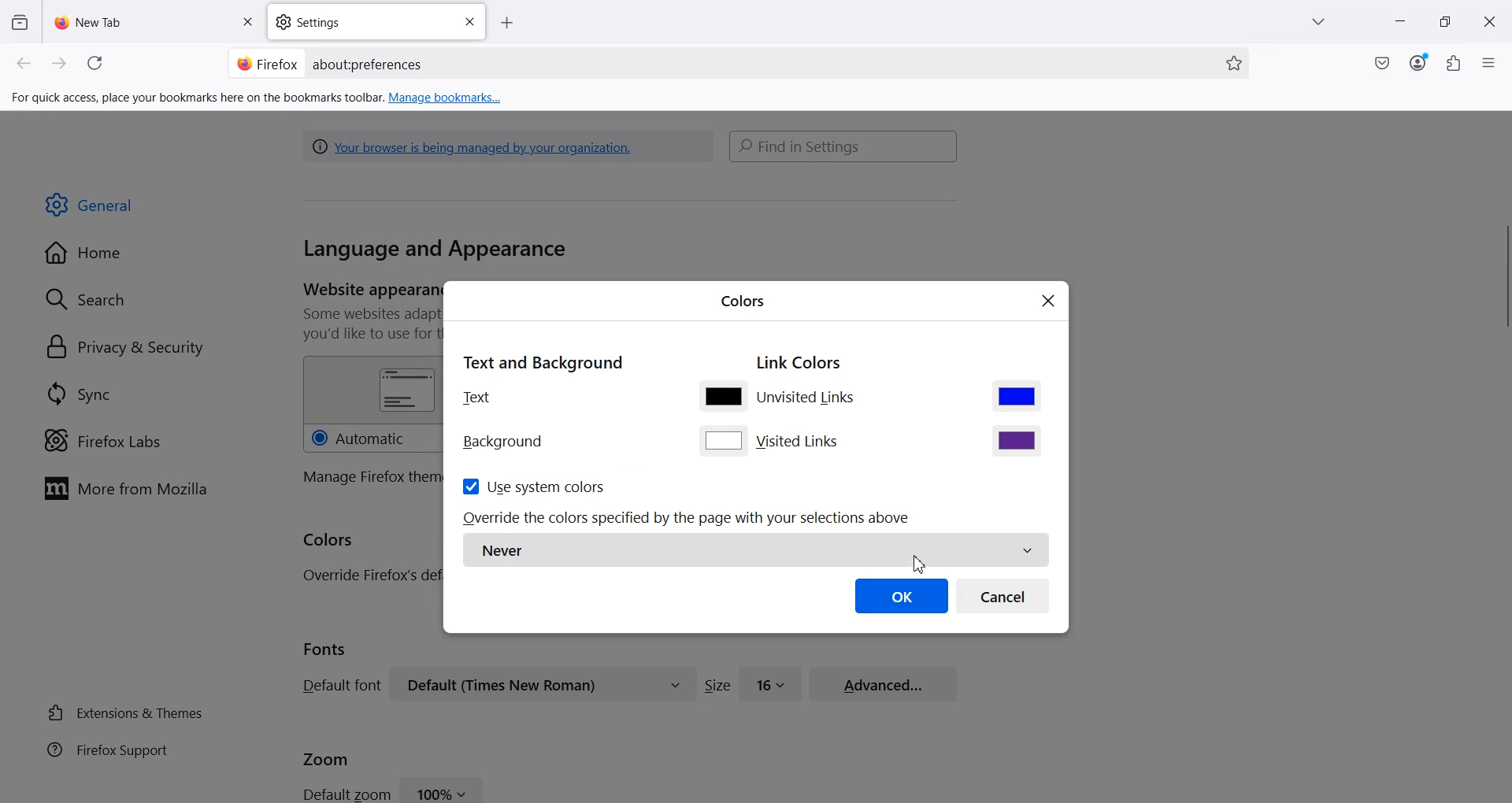 The height and width of the screenshot is (803, 1512). I want to click on @ Firefox Support, so click(108, 749).